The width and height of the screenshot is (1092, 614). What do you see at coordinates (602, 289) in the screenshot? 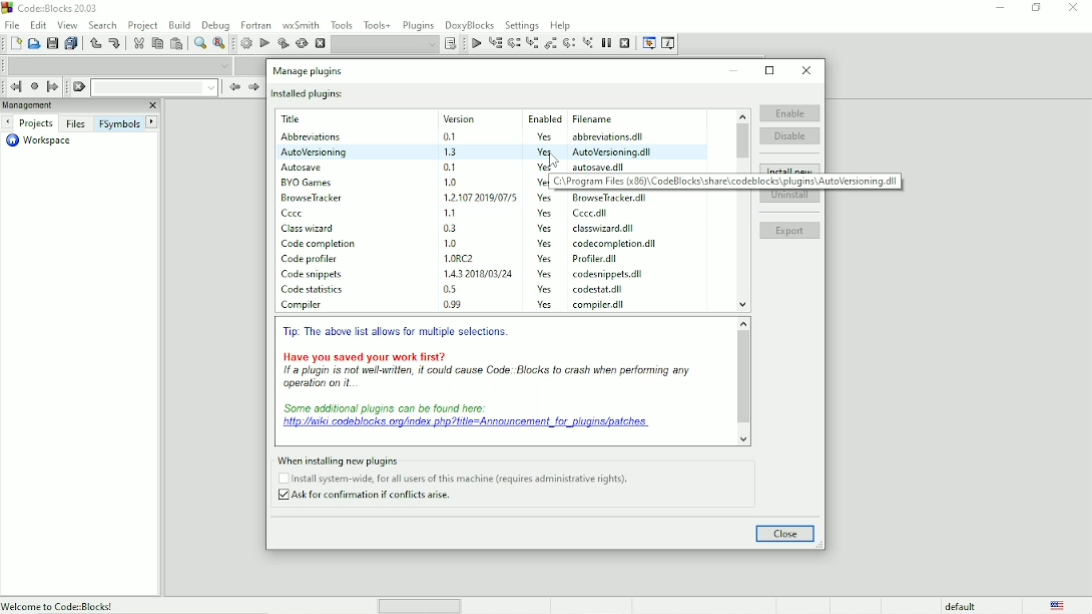
I see `codestat.dll` at bounding box center [602, 289].